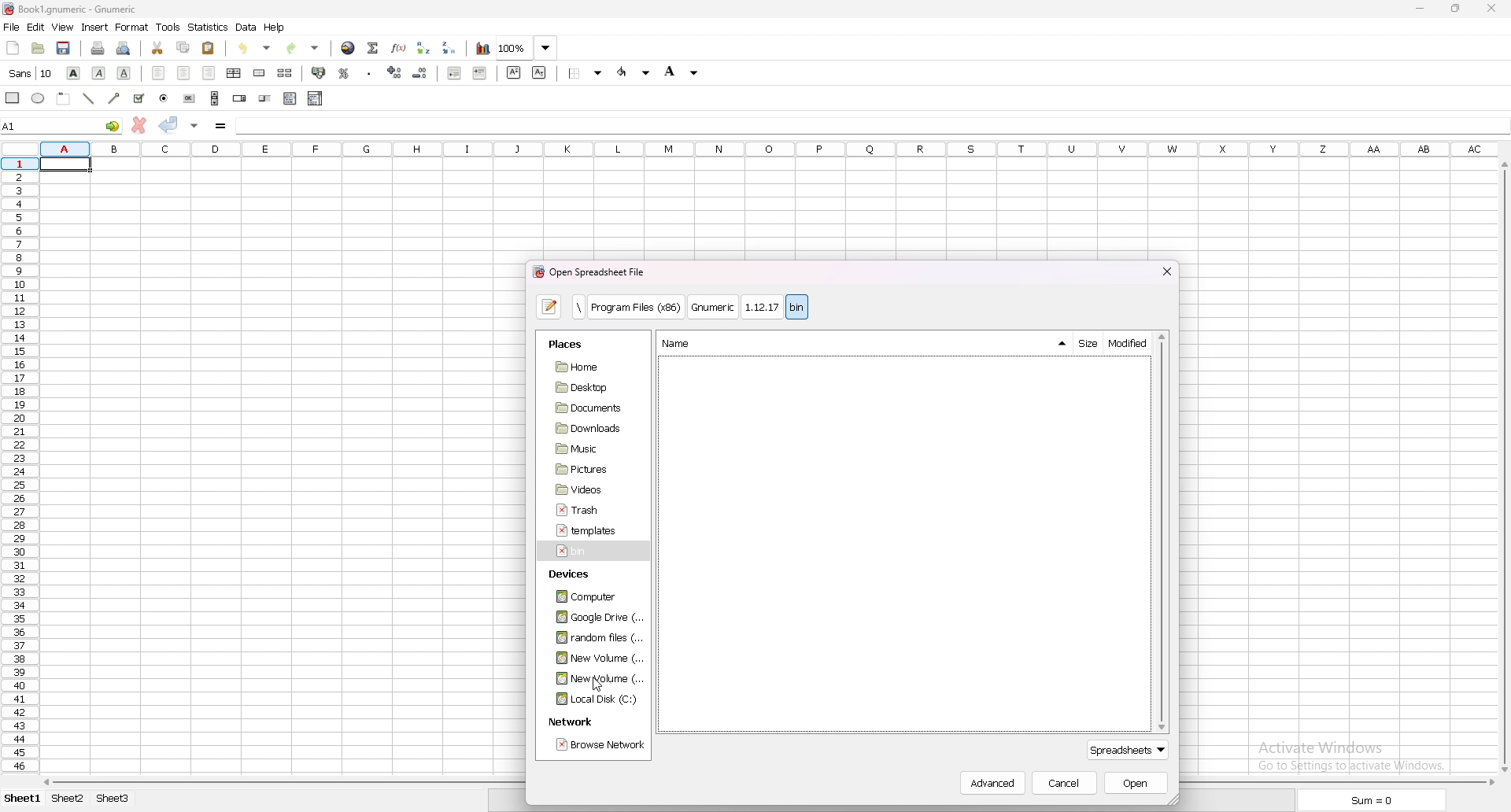 The image size is (1511, 812). Describe the element at coordinates (89, 98) in the screenshot. I see `line` at that location.